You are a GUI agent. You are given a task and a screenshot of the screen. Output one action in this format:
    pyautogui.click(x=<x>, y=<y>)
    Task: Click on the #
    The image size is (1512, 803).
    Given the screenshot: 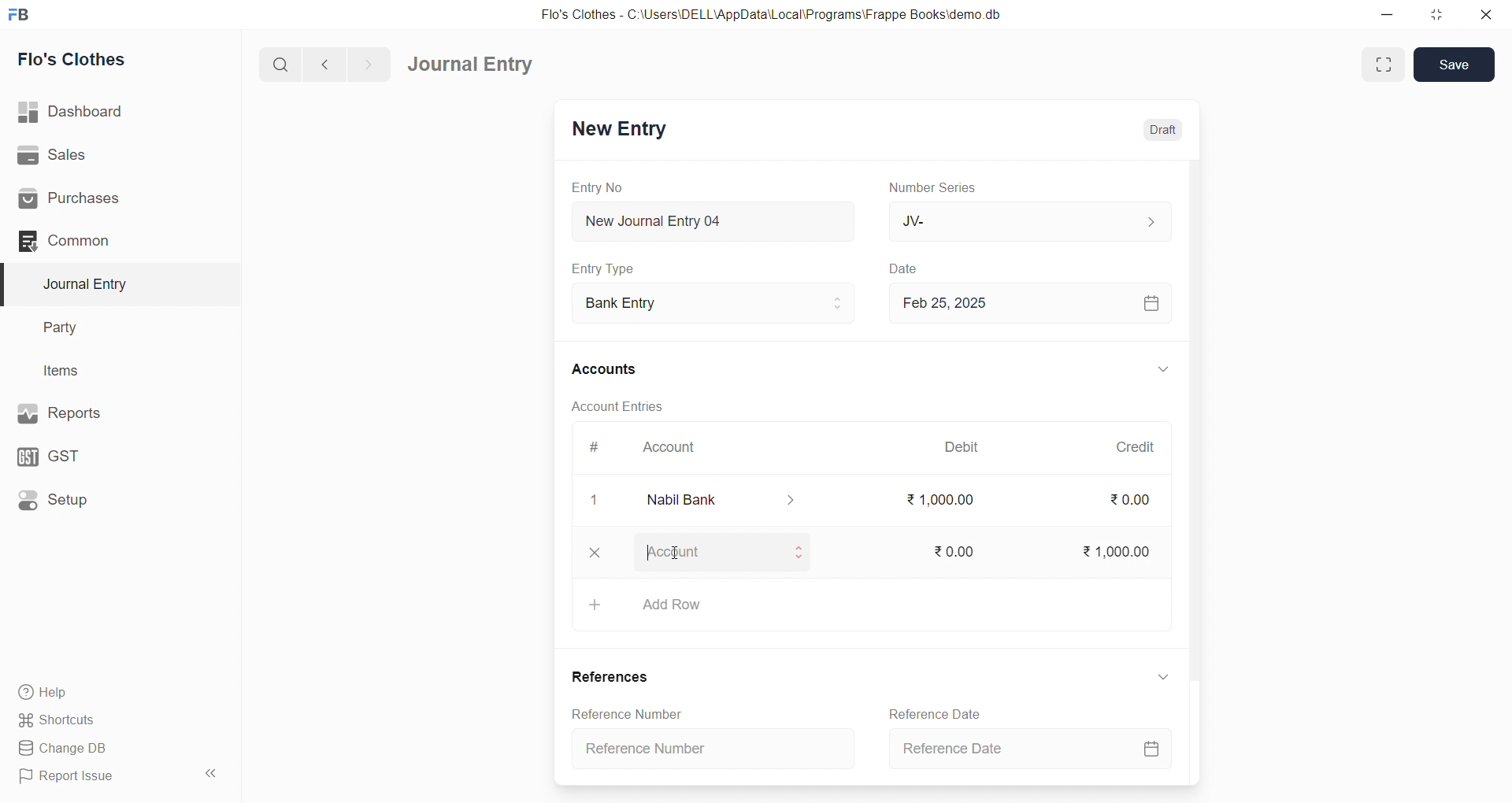 What is the action you would take?
    pyautogui.click(x=595, y=449)
    